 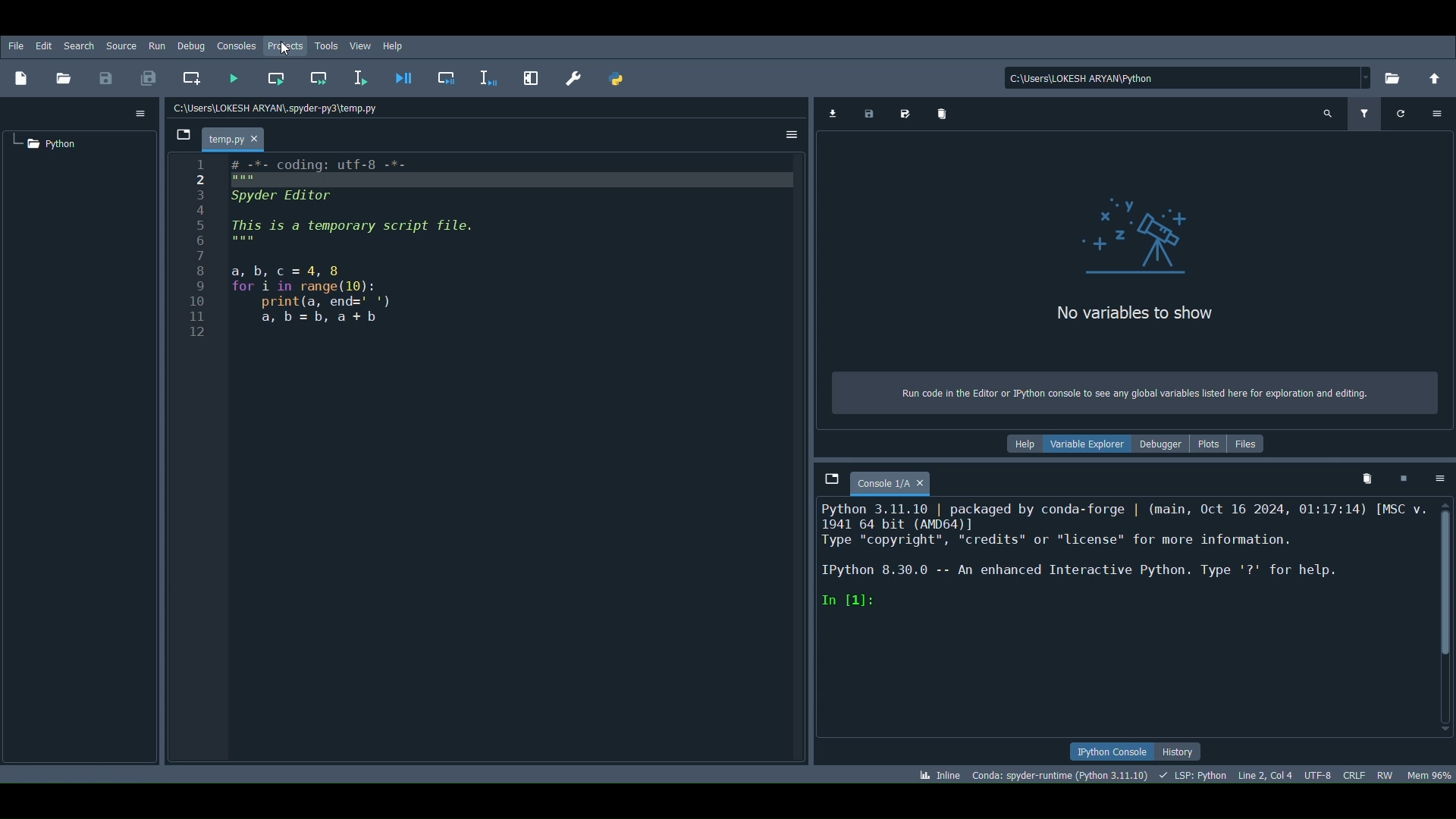 What do you see at coordinates (1401, 114) in the screenshot?
I see `Refresh variables (Ctrl + R)` at bounding box center [1401, 114].